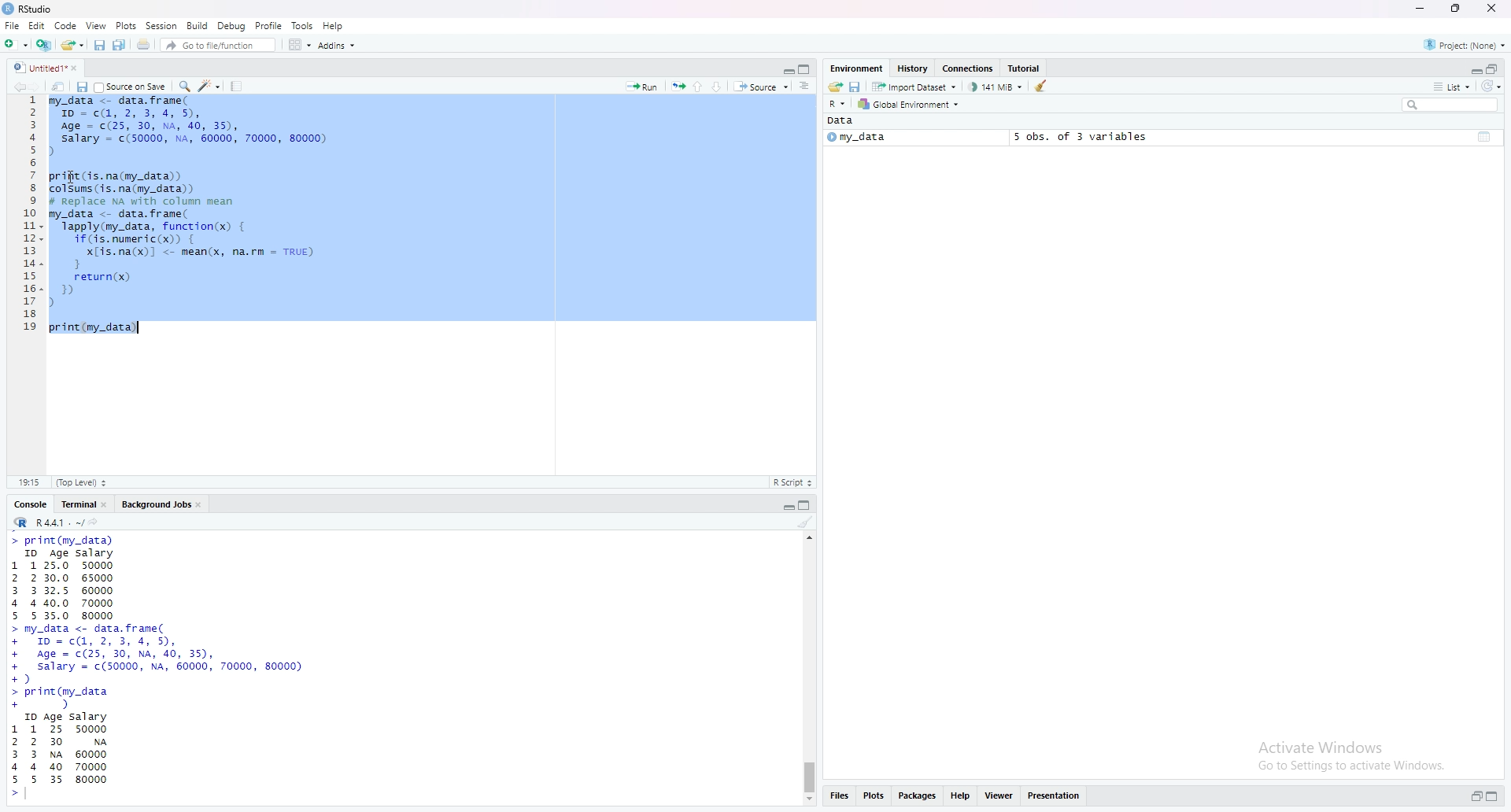 This screenshot has width=1511, height=812. Describe the element at coordinates (17, 45) in the screenshot. I see `new file` at that location.